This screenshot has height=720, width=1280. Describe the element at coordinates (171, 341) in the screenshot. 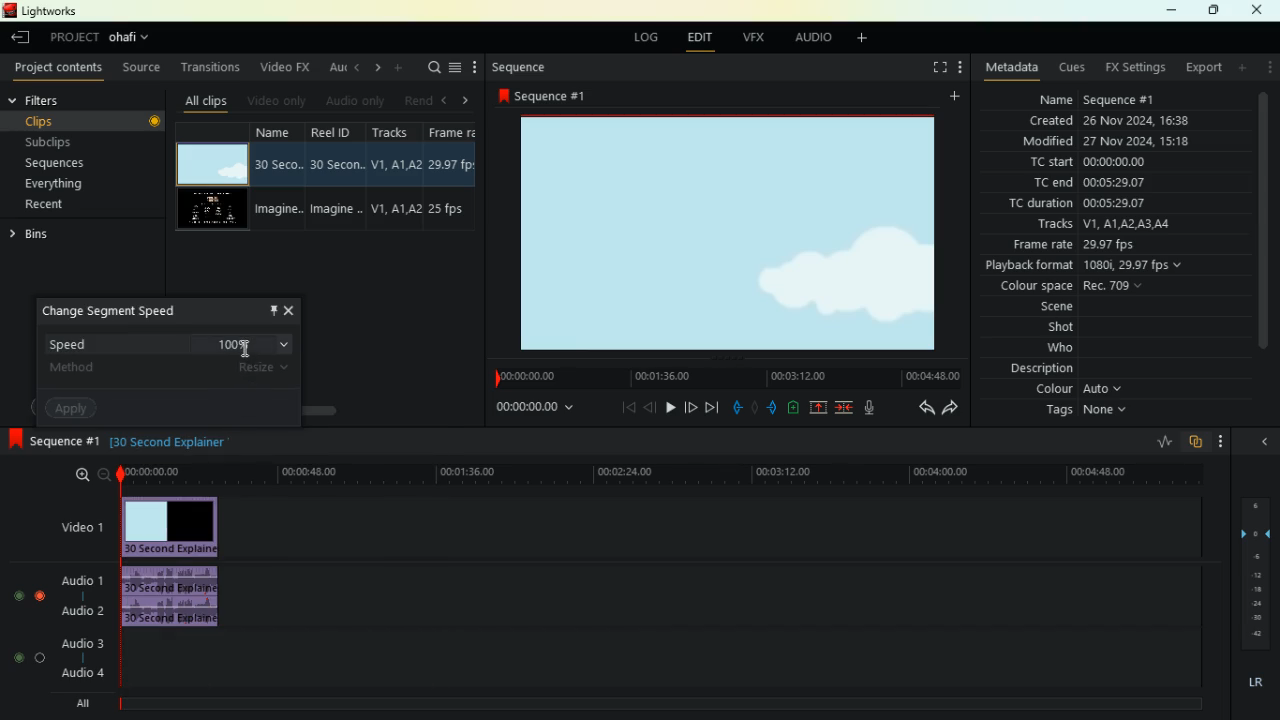

I see `speed` at that location.